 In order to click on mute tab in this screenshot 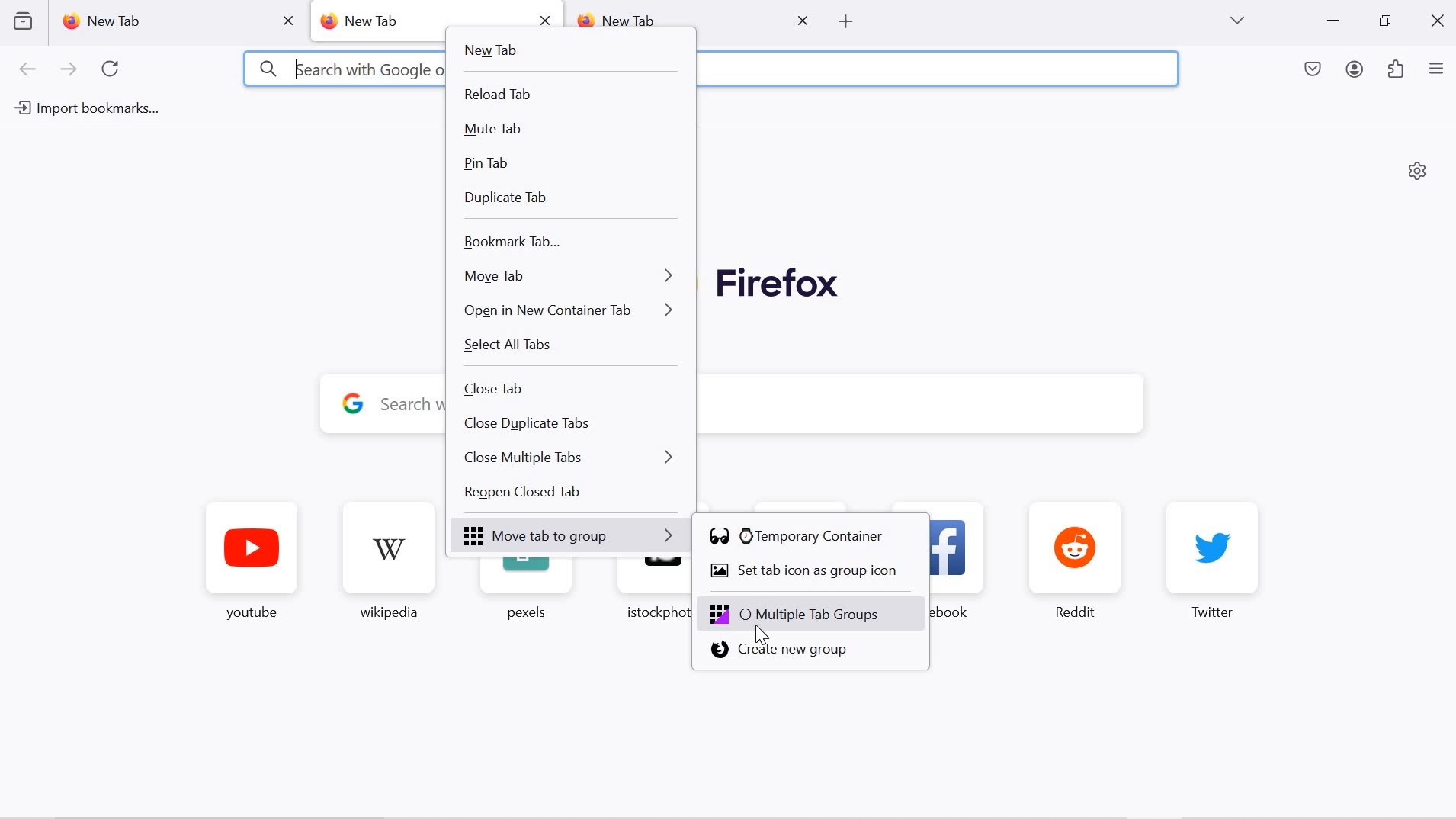, I will do `click(575, 130)`.